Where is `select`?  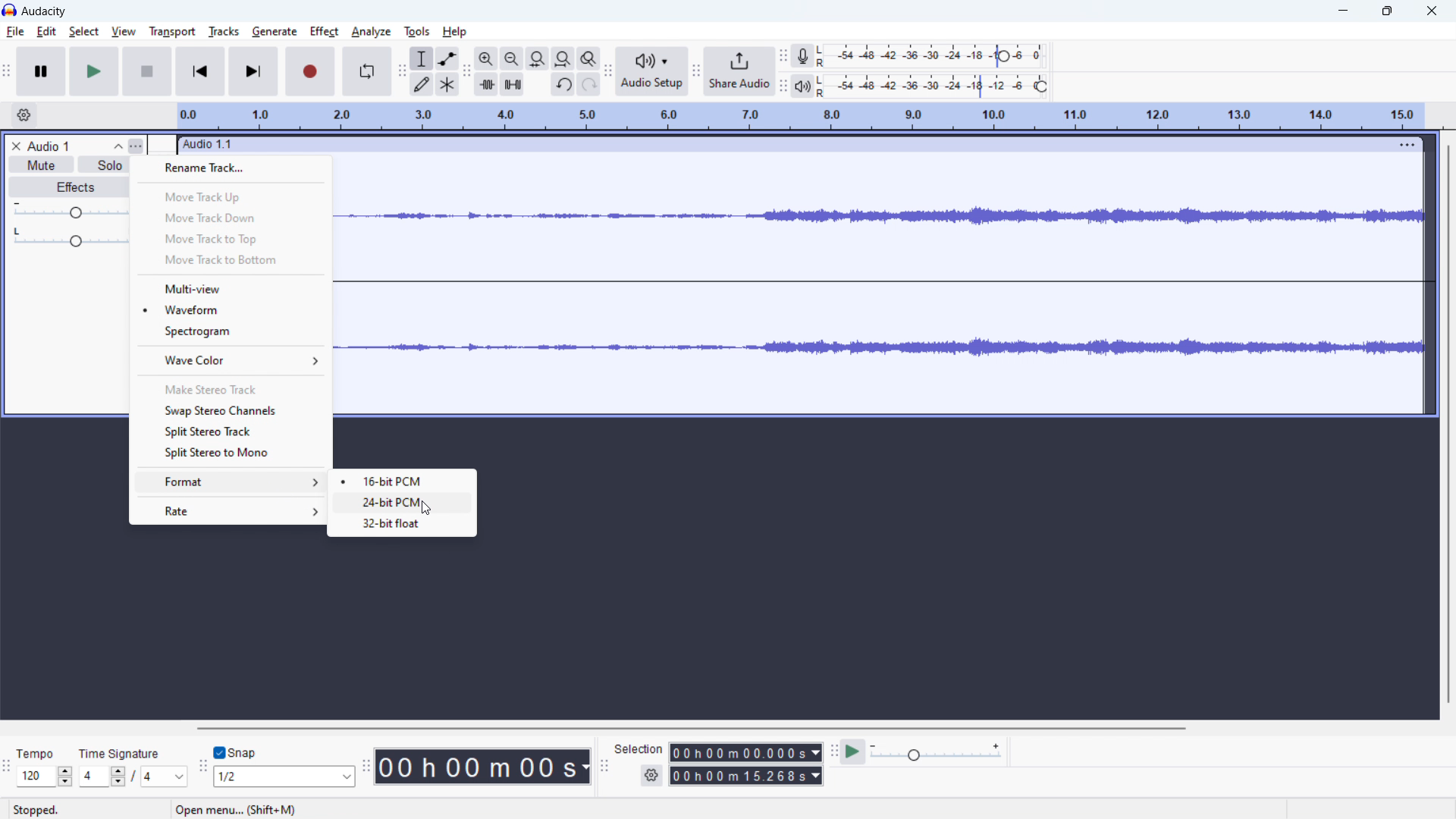 select is located at coordinates (84, 31).